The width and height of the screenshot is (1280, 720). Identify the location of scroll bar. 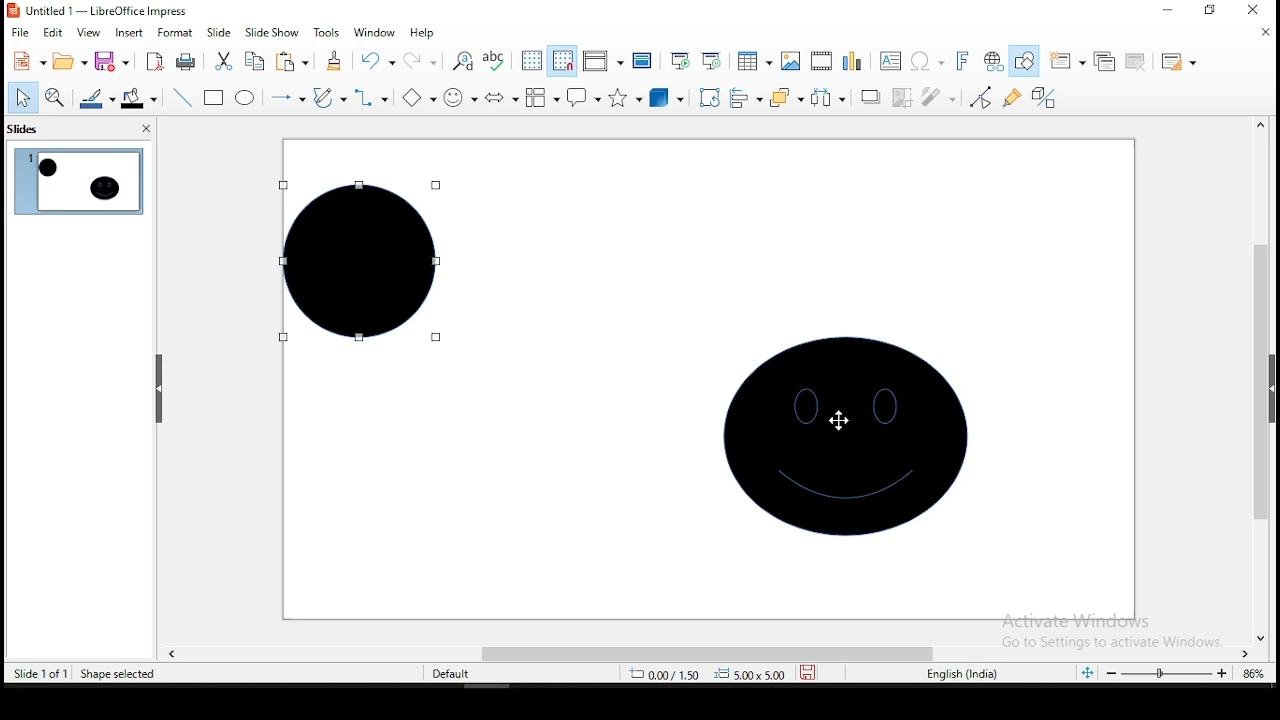
(703, 651).